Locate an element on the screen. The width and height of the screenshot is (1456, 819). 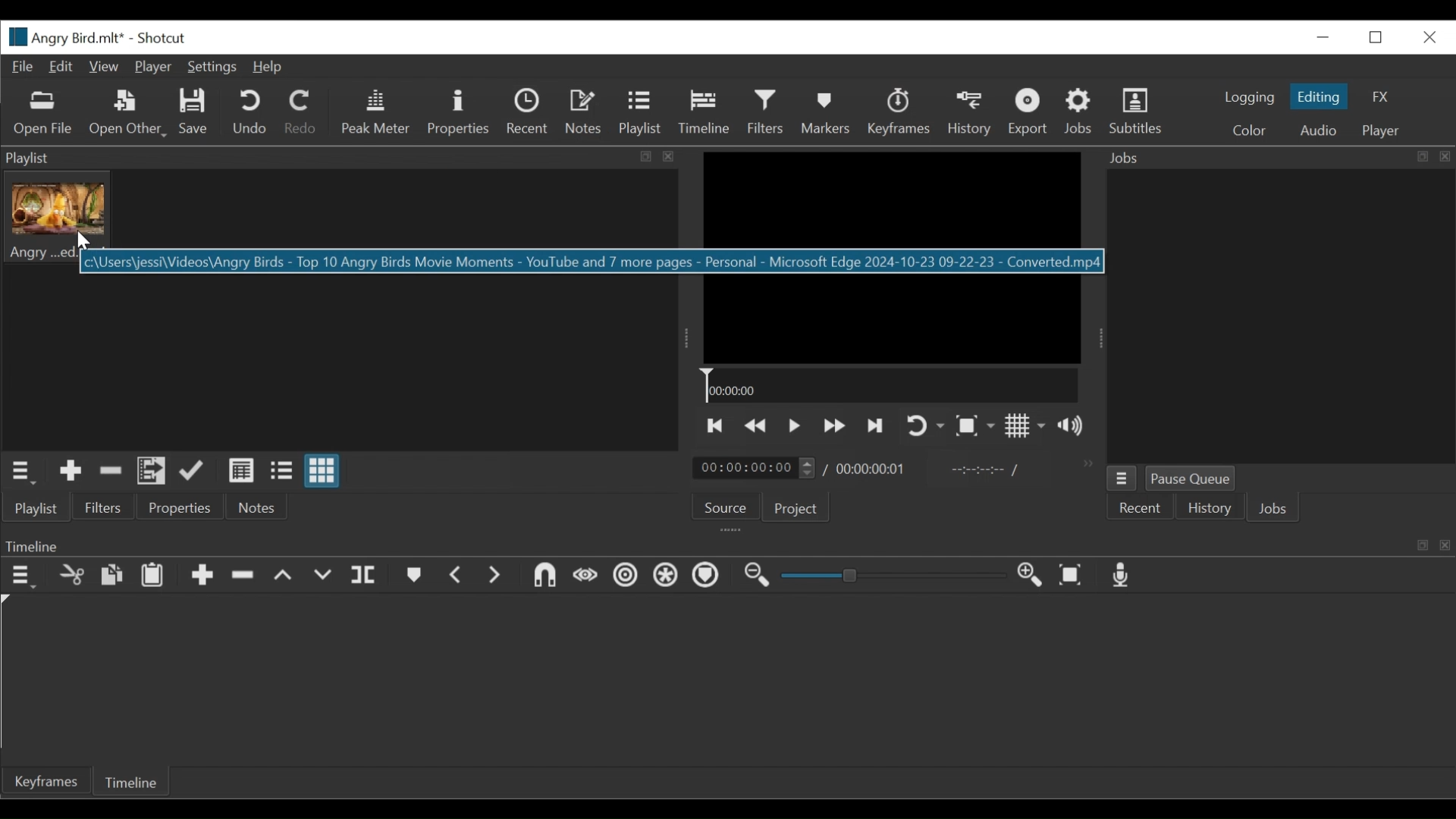
Add the Source to the playlist is located at coordinates (69, 471).